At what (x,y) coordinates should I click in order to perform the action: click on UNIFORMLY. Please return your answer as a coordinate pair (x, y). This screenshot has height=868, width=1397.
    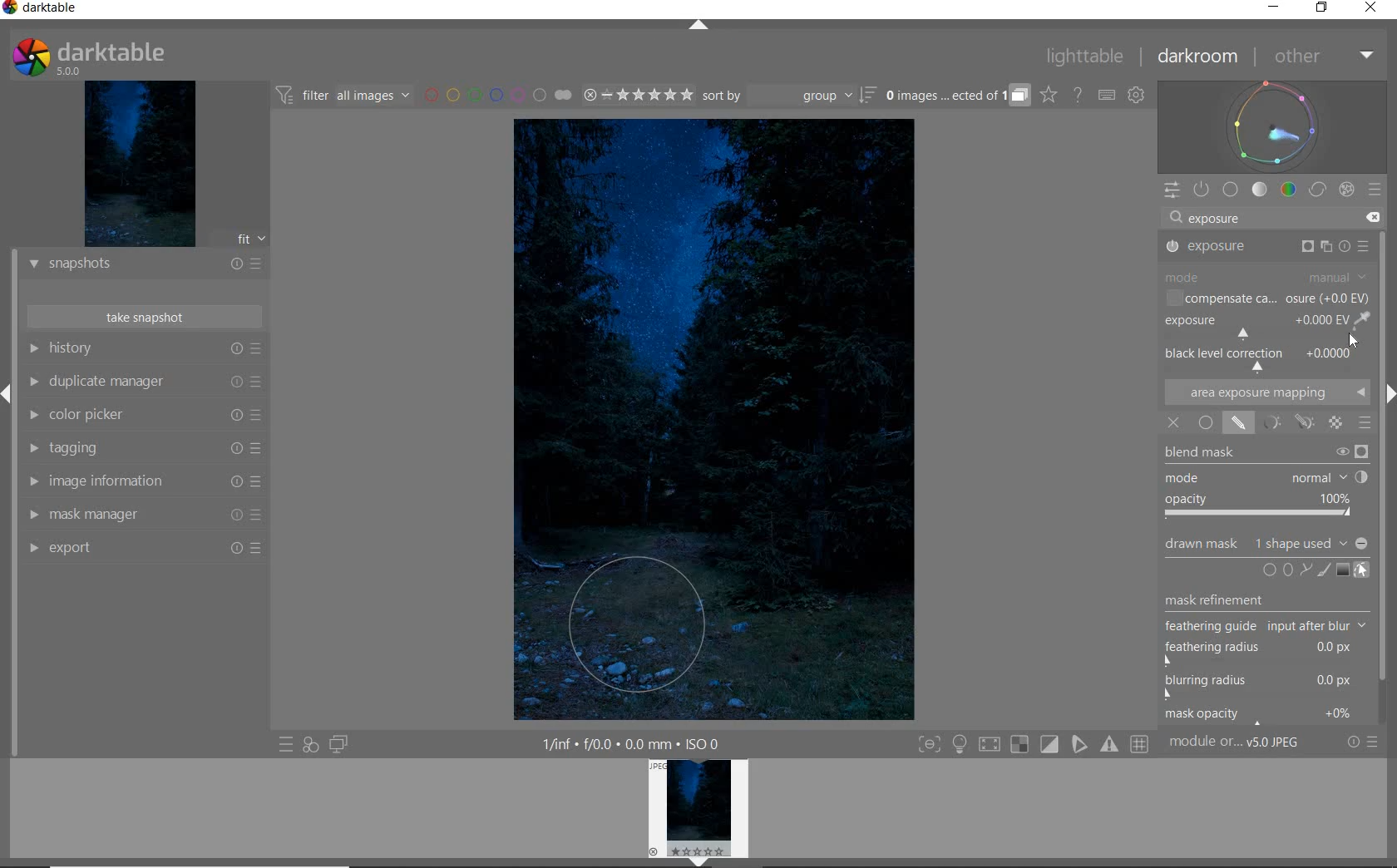
    Looking at the image, I should click on (1203, 423).